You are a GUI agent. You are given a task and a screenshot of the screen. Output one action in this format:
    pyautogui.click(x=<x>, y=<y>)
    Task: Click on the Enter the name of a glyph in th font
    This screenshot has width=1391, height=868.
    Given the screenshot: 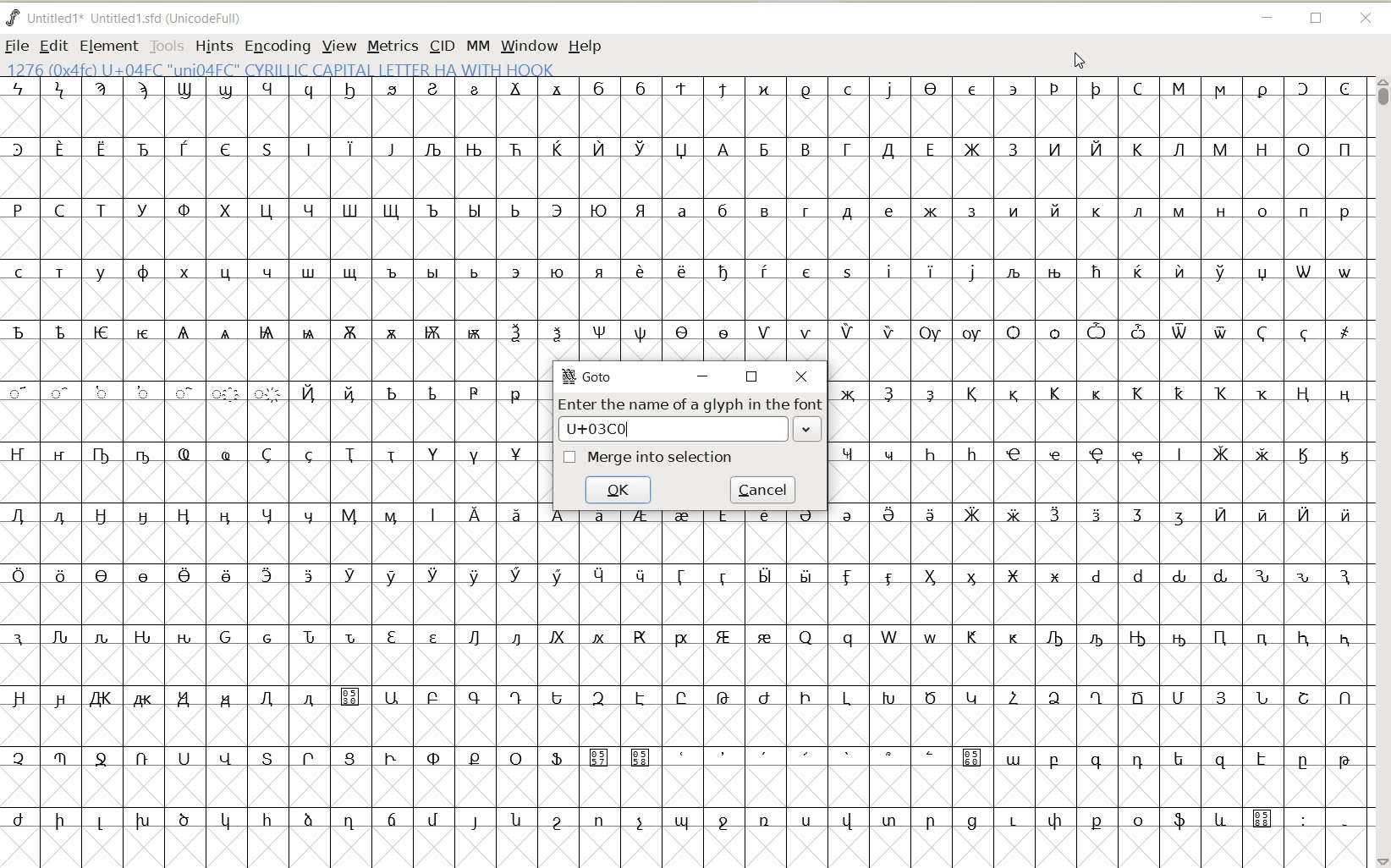 What is the action you would take?
    pyautogui.click(x=691, y=419)
    